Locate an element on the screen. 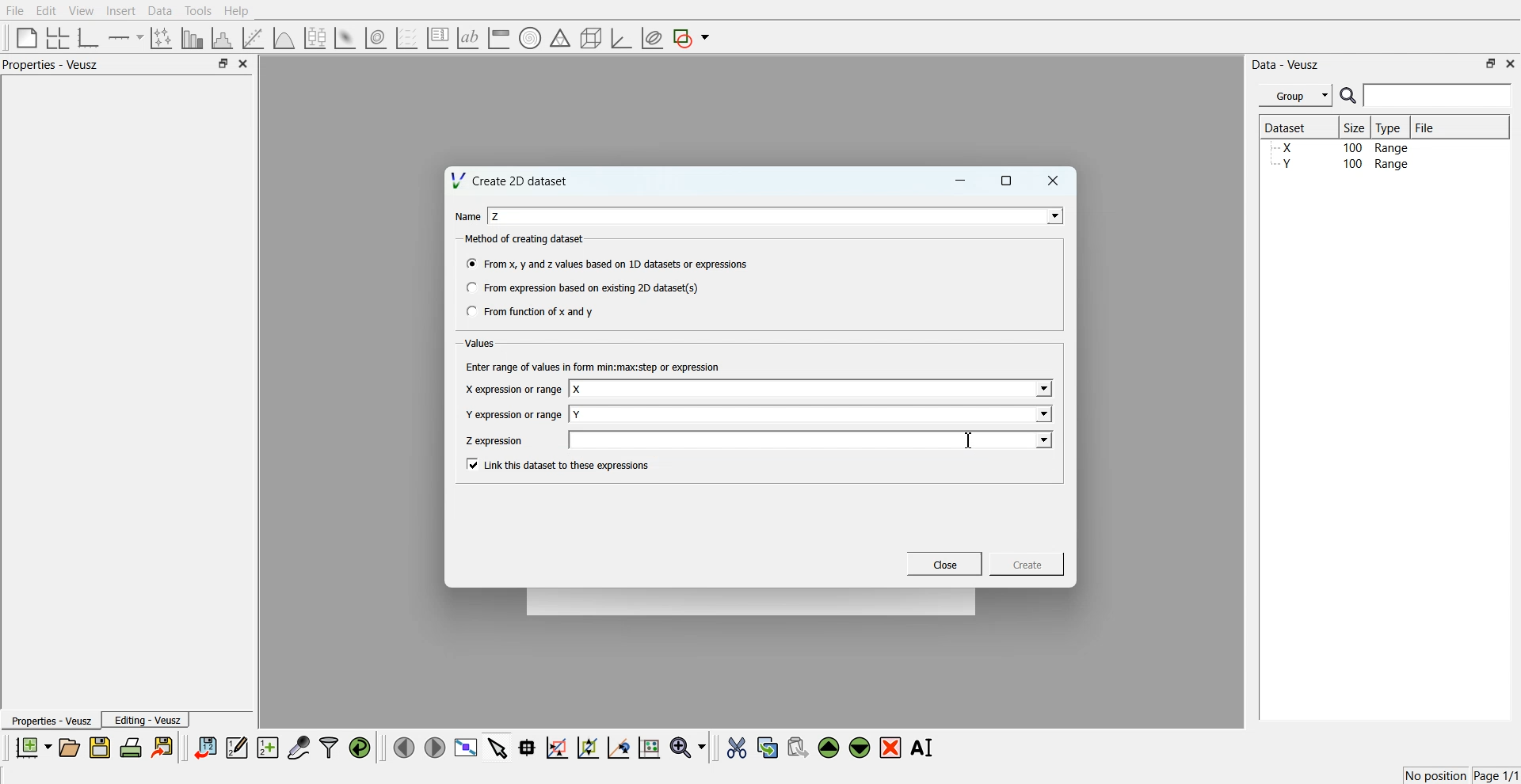 The width and height of the screenshot is (1521, 784). Y 100 Range is located at coordinates (1341, 164).